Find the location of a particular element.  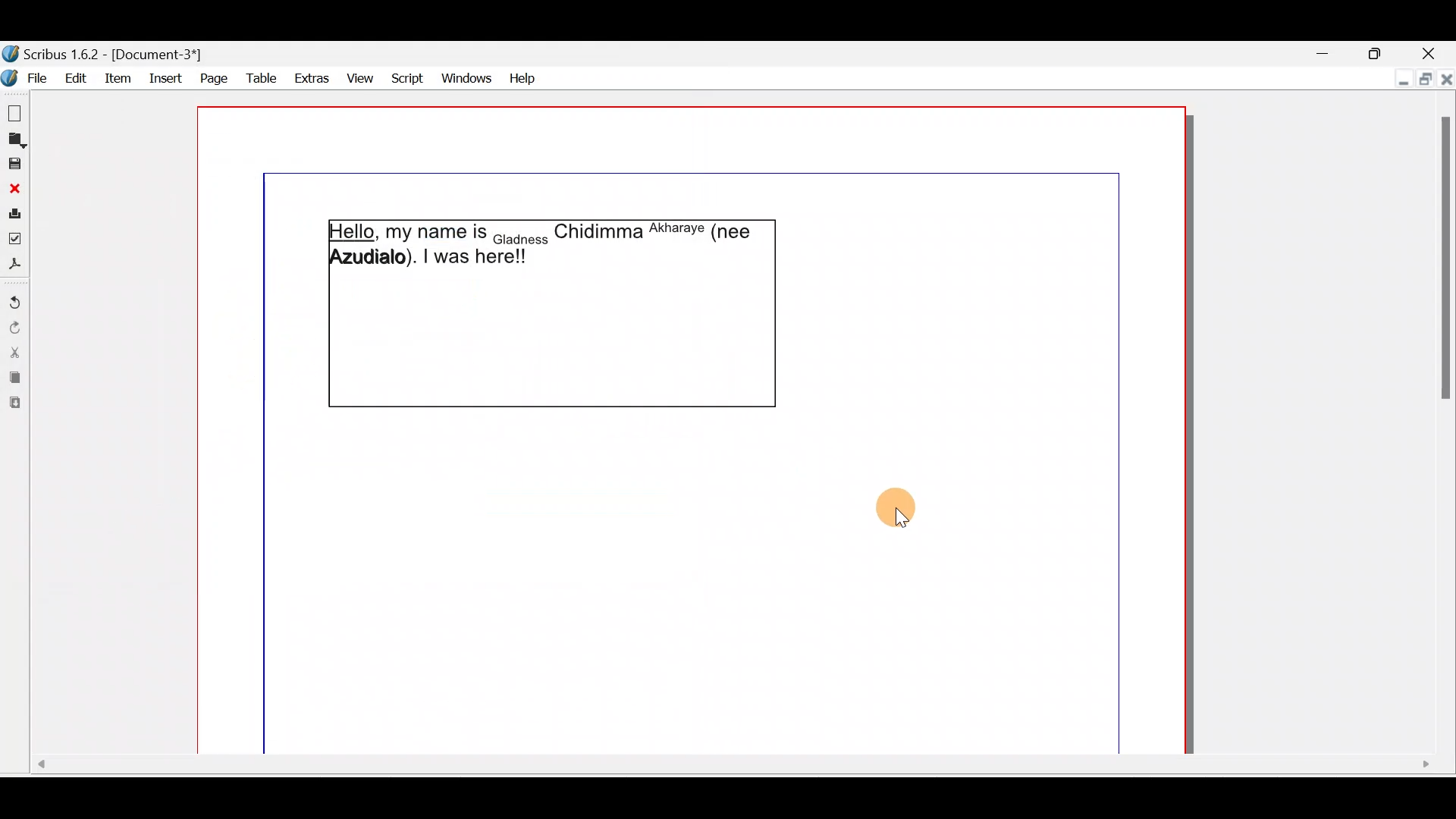

Preflight verifier is located at coordinates (14, 240).